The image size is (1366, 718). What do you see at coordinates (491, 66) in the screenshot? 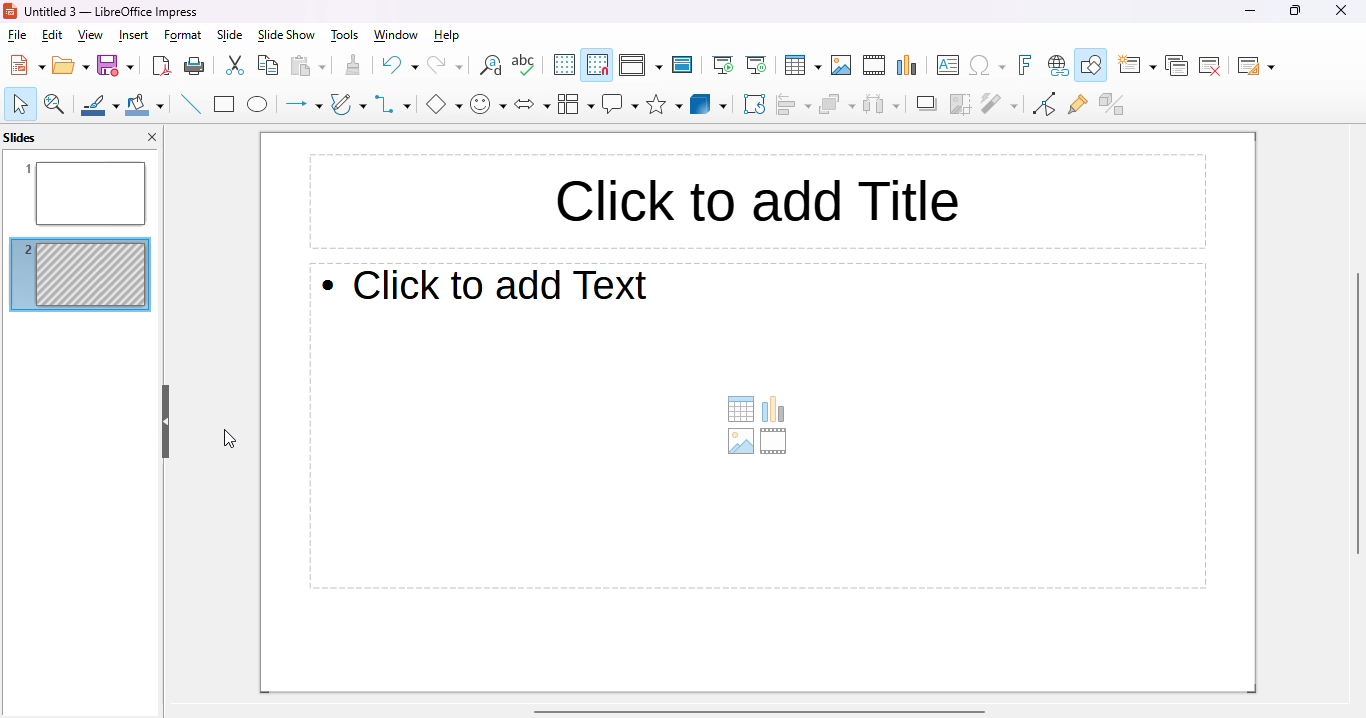
I see `find and replace` at bounding box center [491, 66].